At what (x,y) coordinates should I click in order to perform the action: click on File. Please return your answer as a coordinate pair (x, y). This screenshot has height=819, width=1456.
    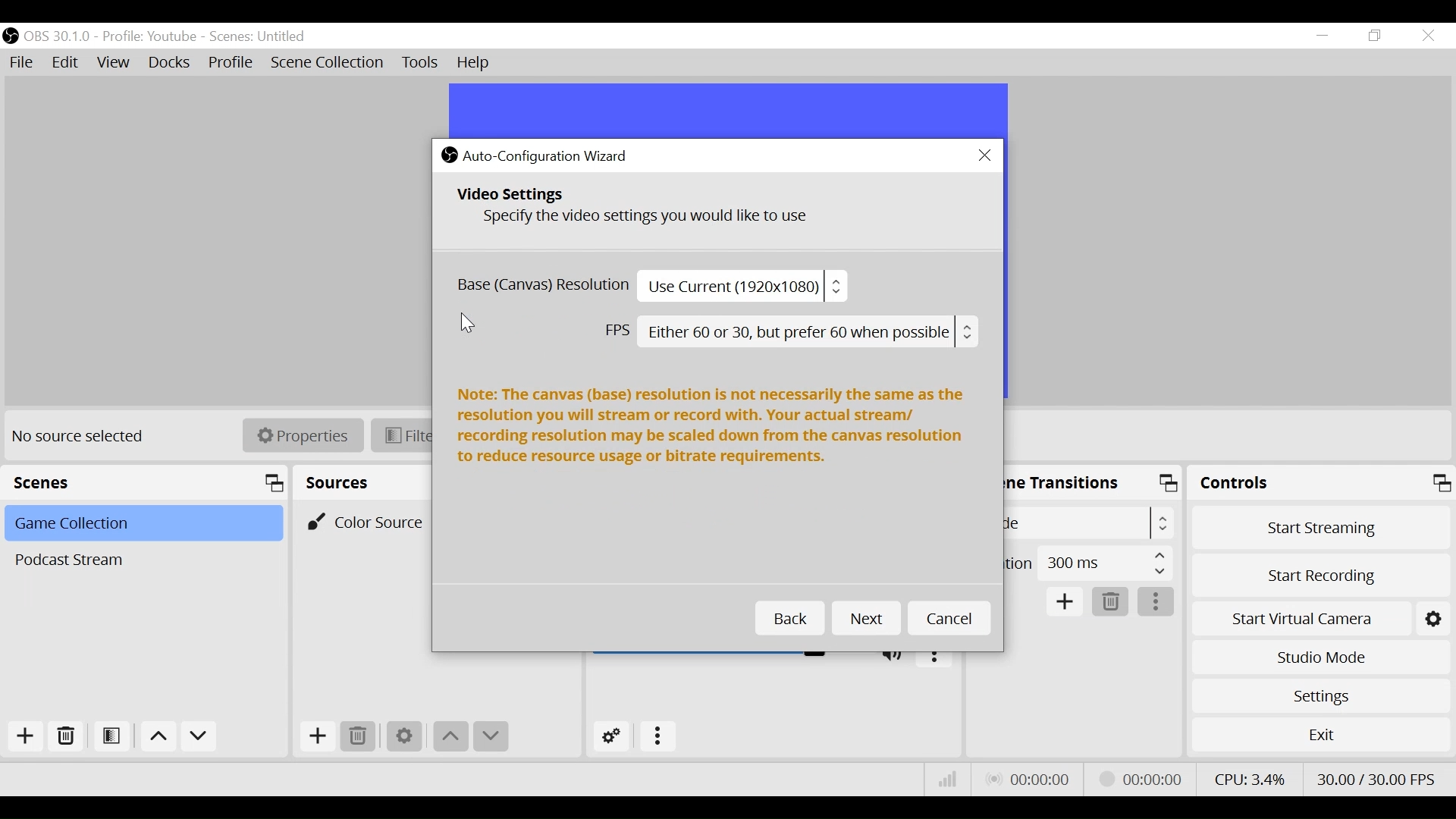
    Looking at the image, I should click on (22, 63).